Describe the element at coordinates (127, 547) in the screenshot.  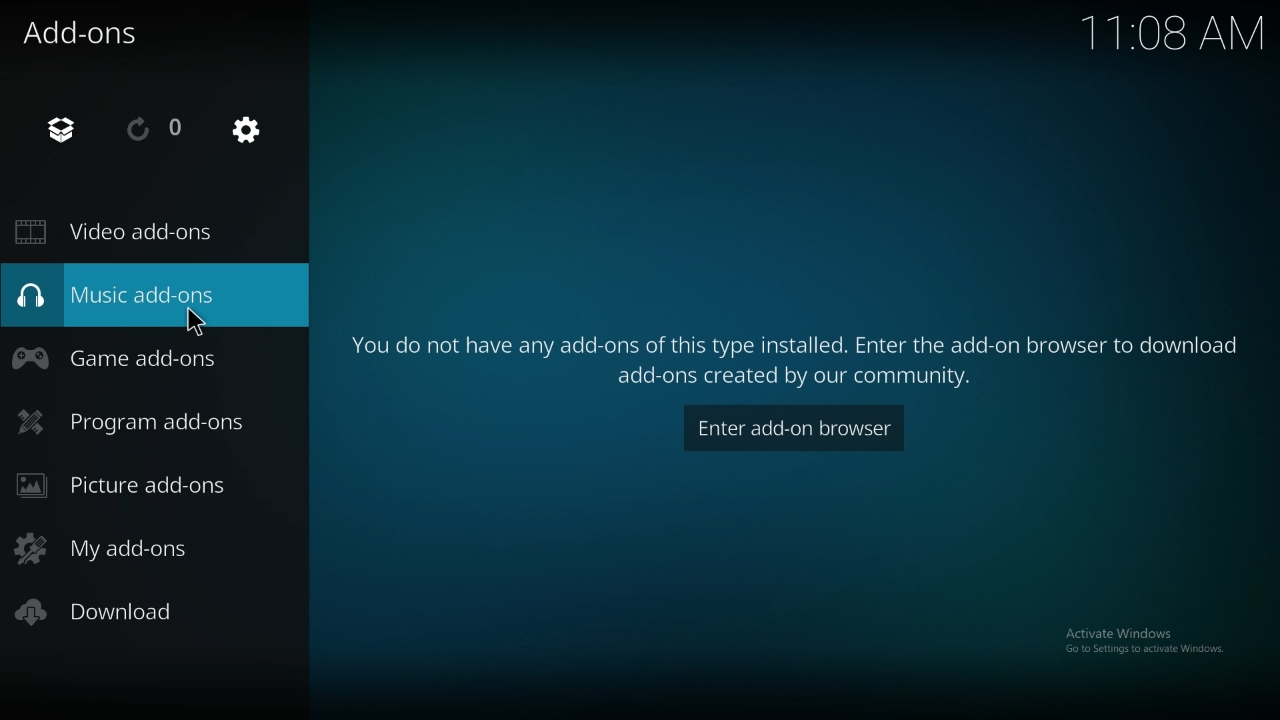
I see `my add ons` at that location.